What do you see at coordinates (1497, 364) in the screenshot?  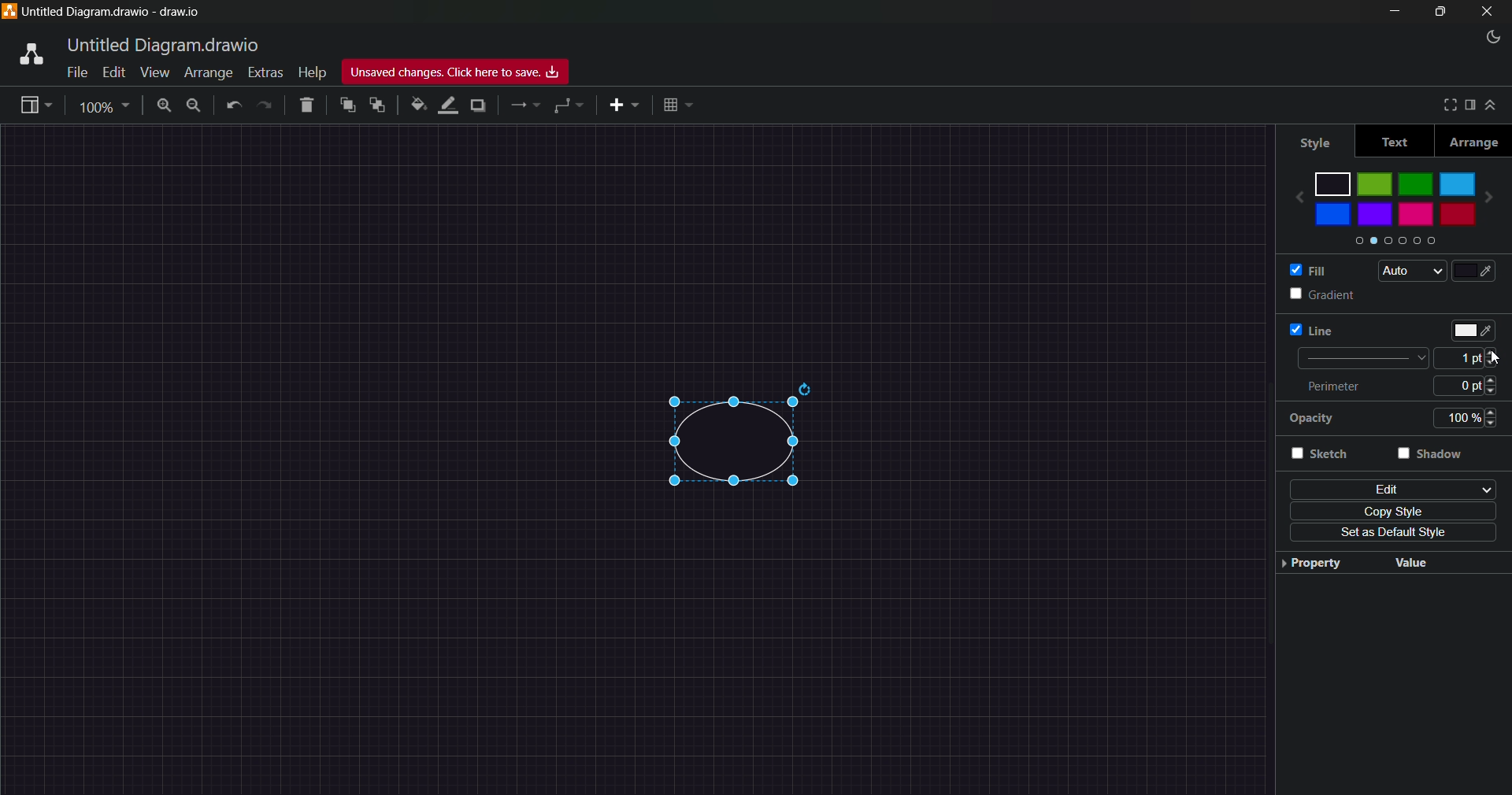 I see `decrease thickness` at bounding box center [1497, 364].